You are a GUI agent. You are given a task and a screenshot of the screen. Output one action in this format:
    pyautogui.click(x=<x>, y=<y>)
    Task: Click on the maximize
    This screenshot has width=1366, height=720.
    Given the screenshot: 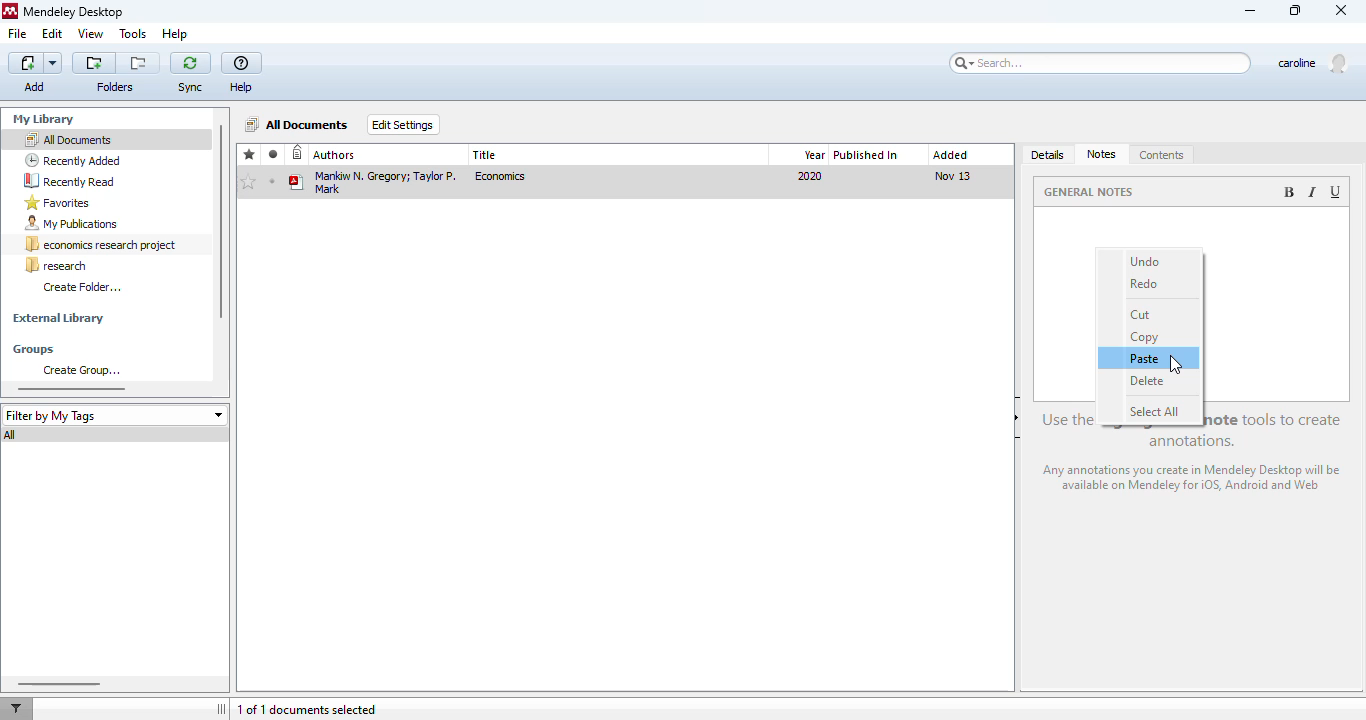 What is the action you would take?
    pyautogui.click(x=1296, y=10)
    